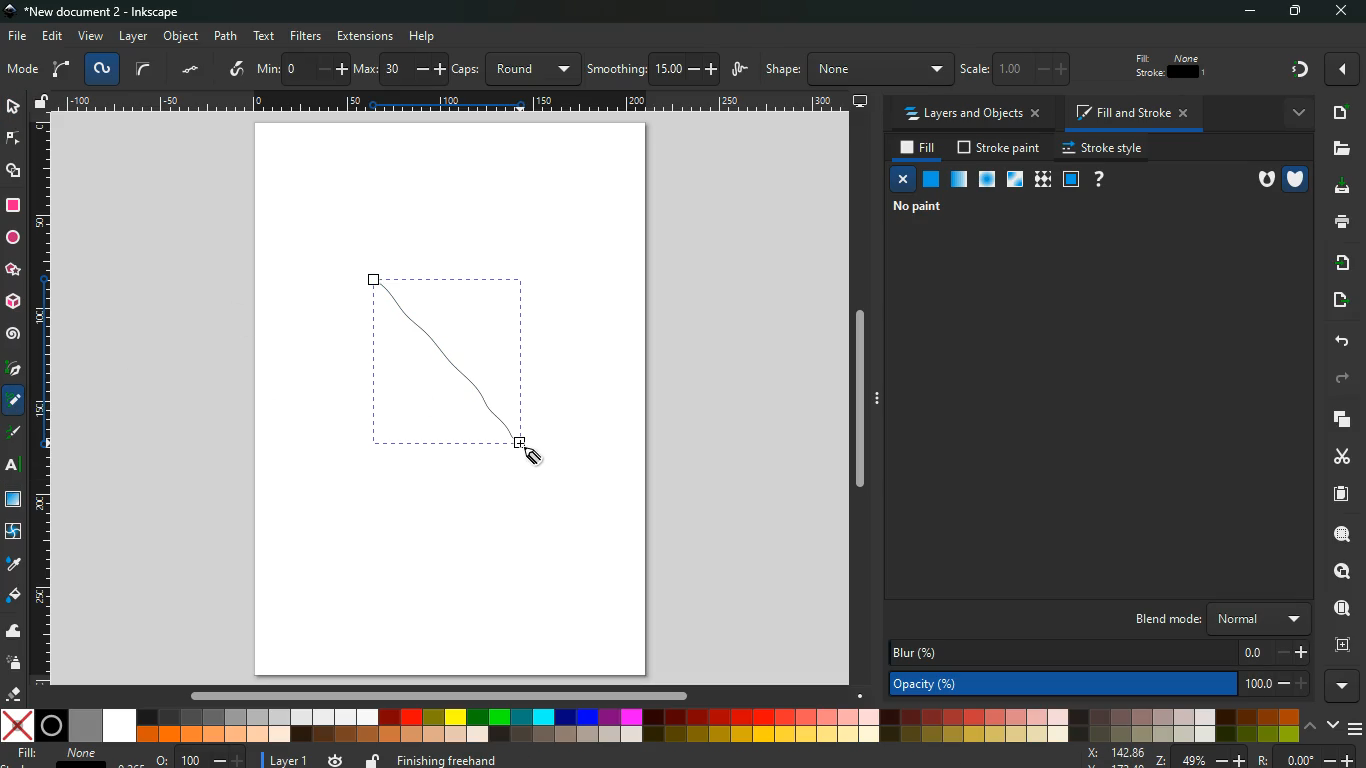 Image resolution: width=1366 pixels, height=768 pixels. Describe the element at coordinates (958, 178) in the screenshot. I see `opacity` at that location.